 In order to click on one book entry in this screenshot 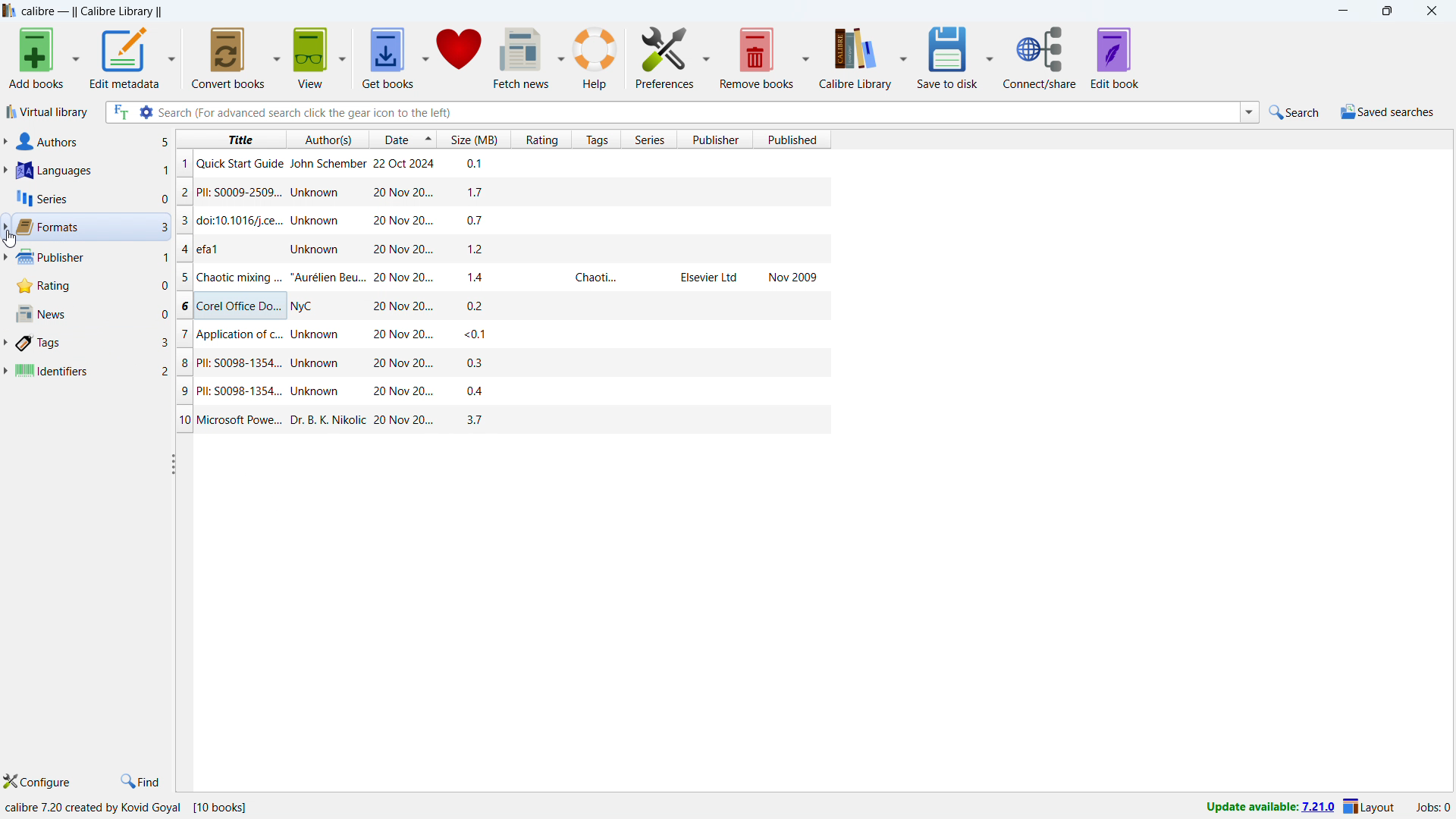, I will do `click(499, 334)`.